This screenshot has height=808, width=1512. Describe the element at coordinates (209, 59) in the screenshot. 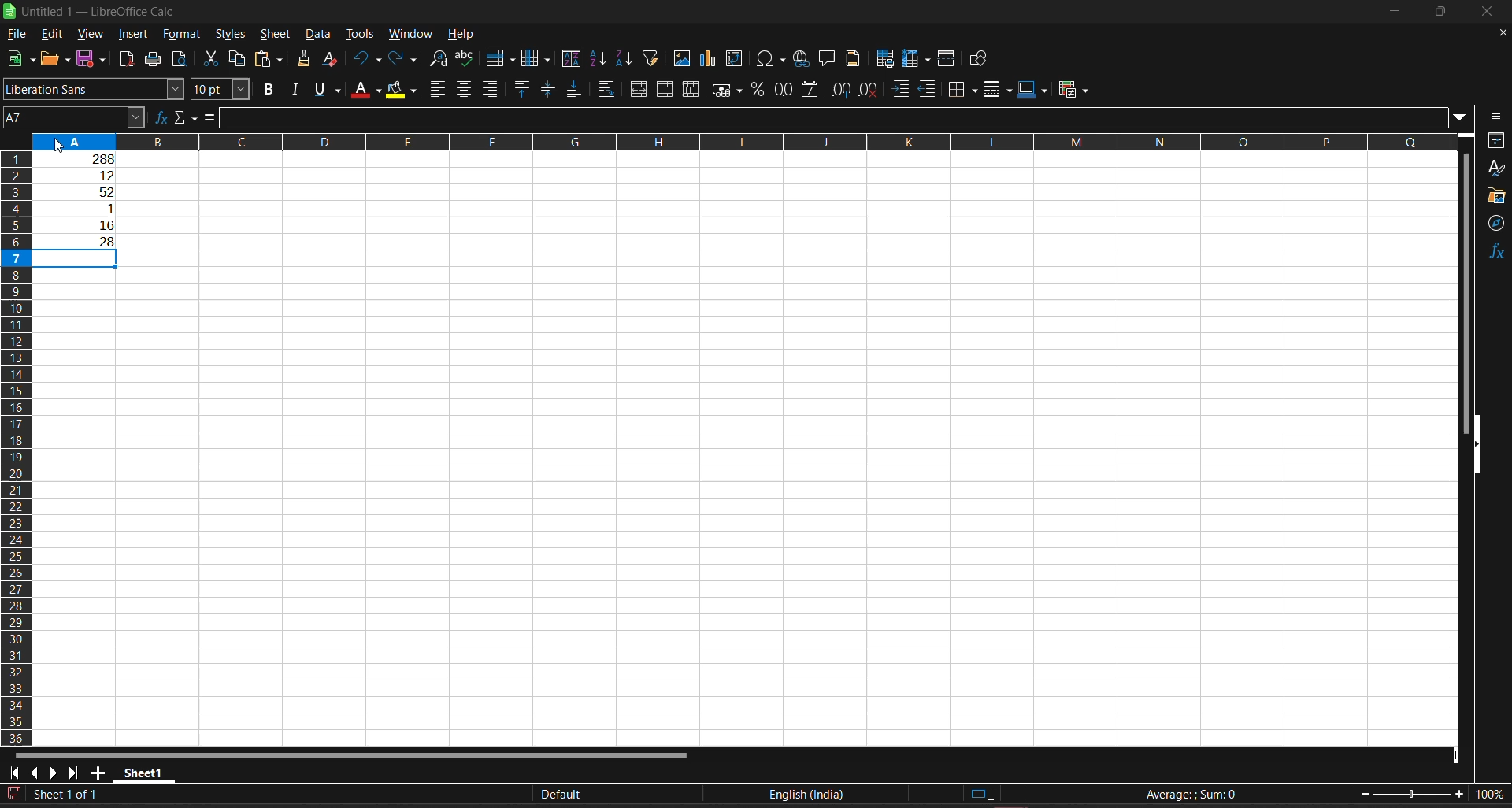

I see `cut` at that location.